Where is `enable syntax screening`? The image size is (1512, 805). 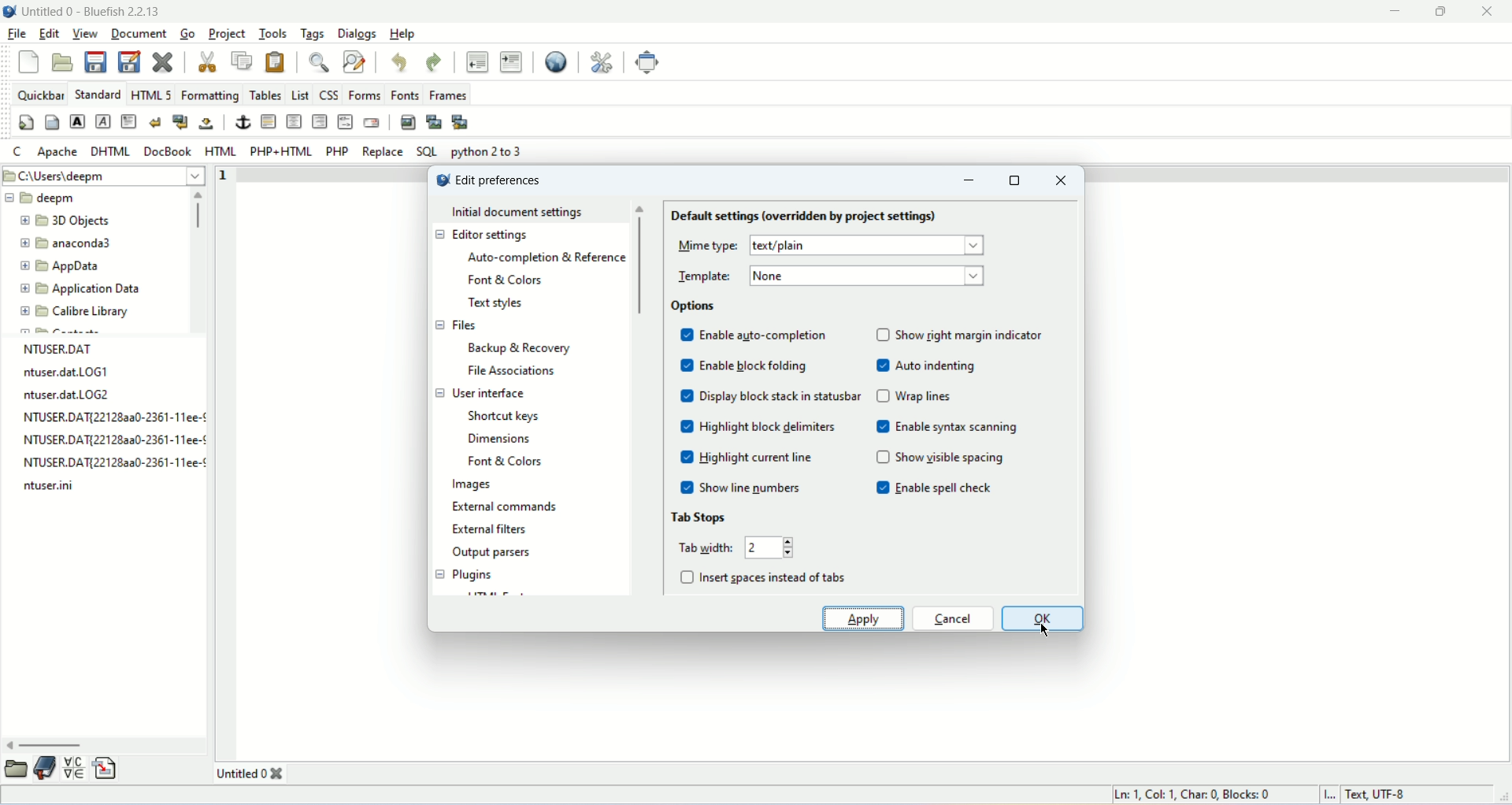
enable syntax screening is located at coordinates (958, 428).